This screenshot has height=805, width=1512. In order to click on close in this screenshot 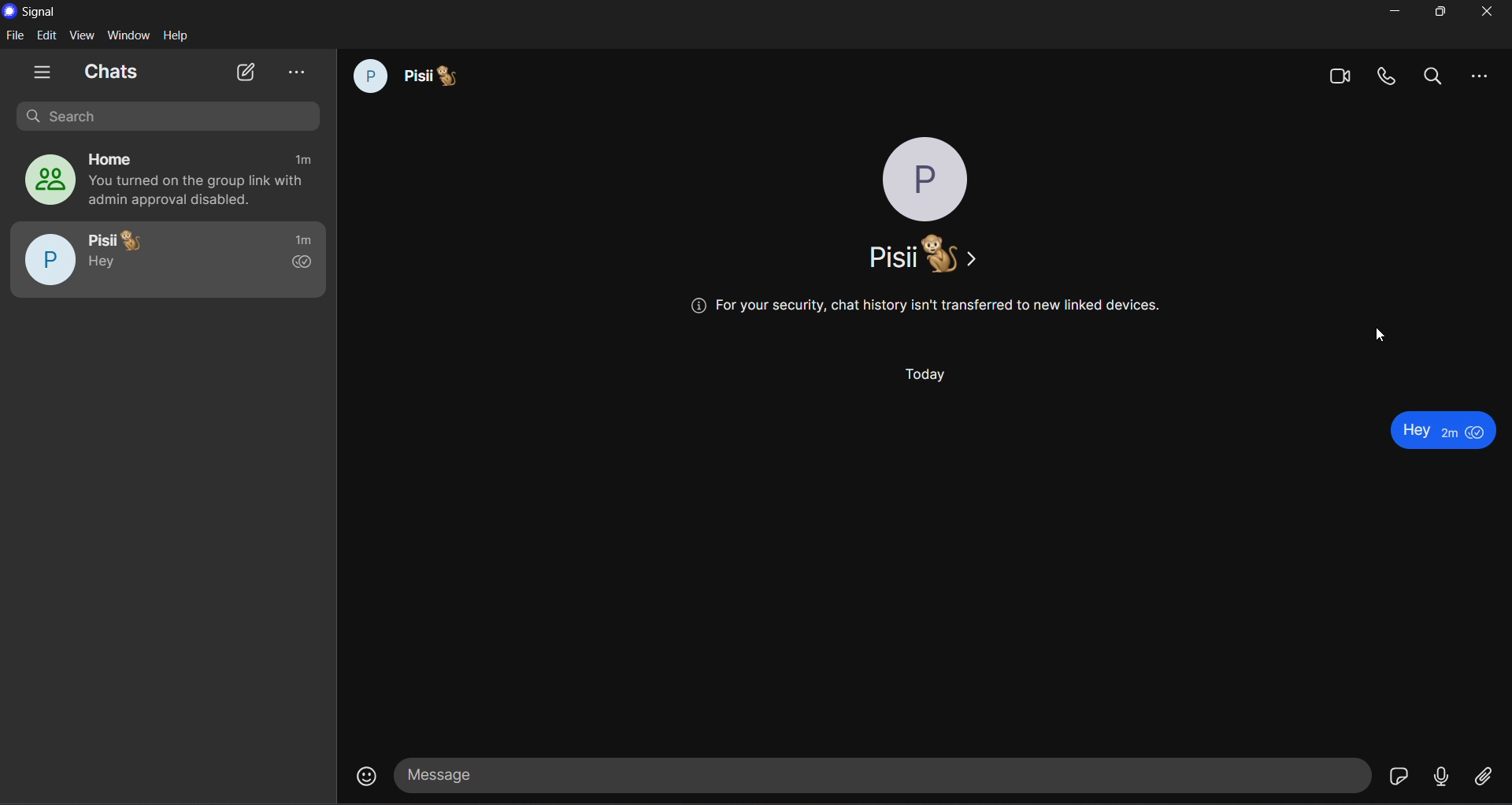, I will do `click(1489, 12)`.